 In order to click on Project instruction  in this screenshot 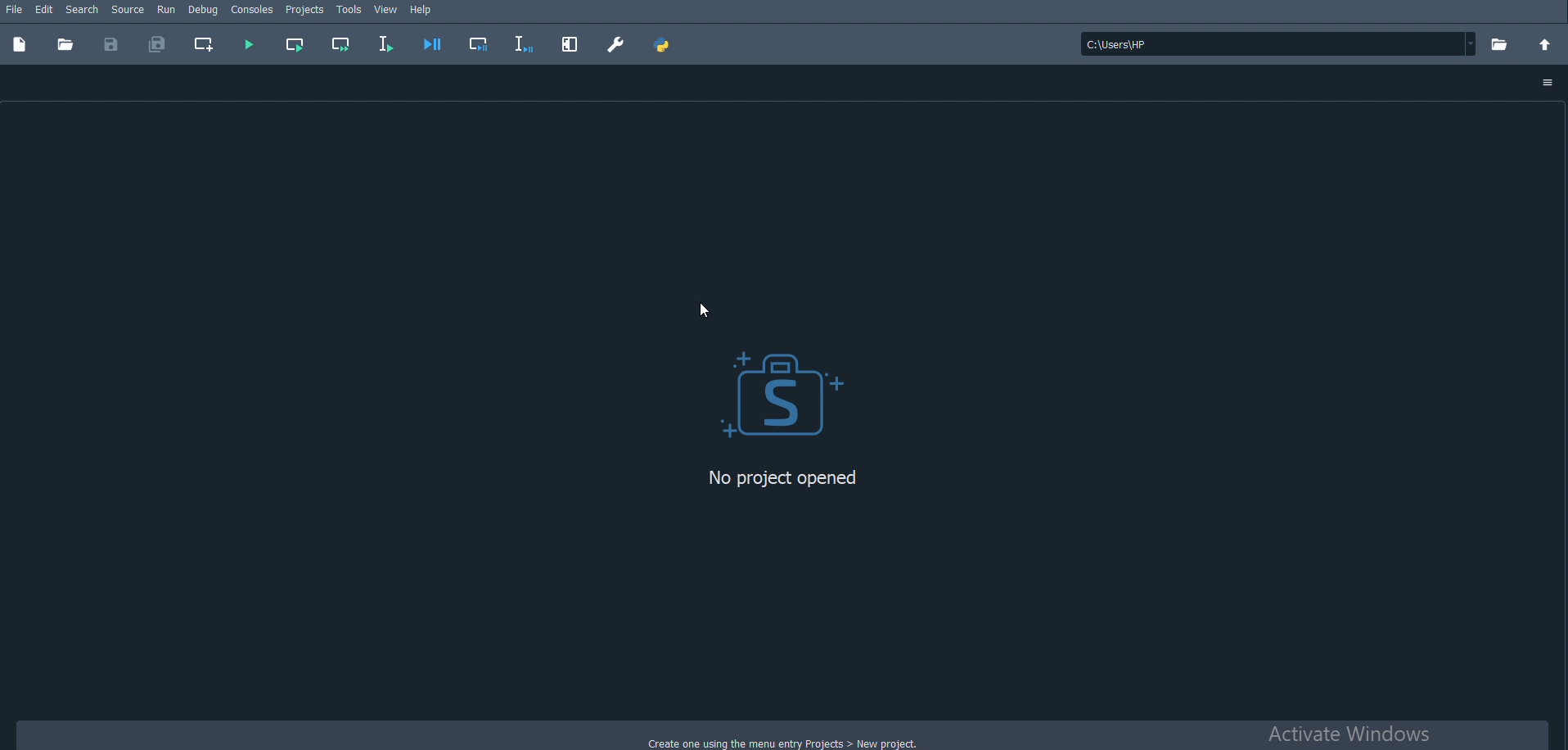, I will do `click(767, 740)`.